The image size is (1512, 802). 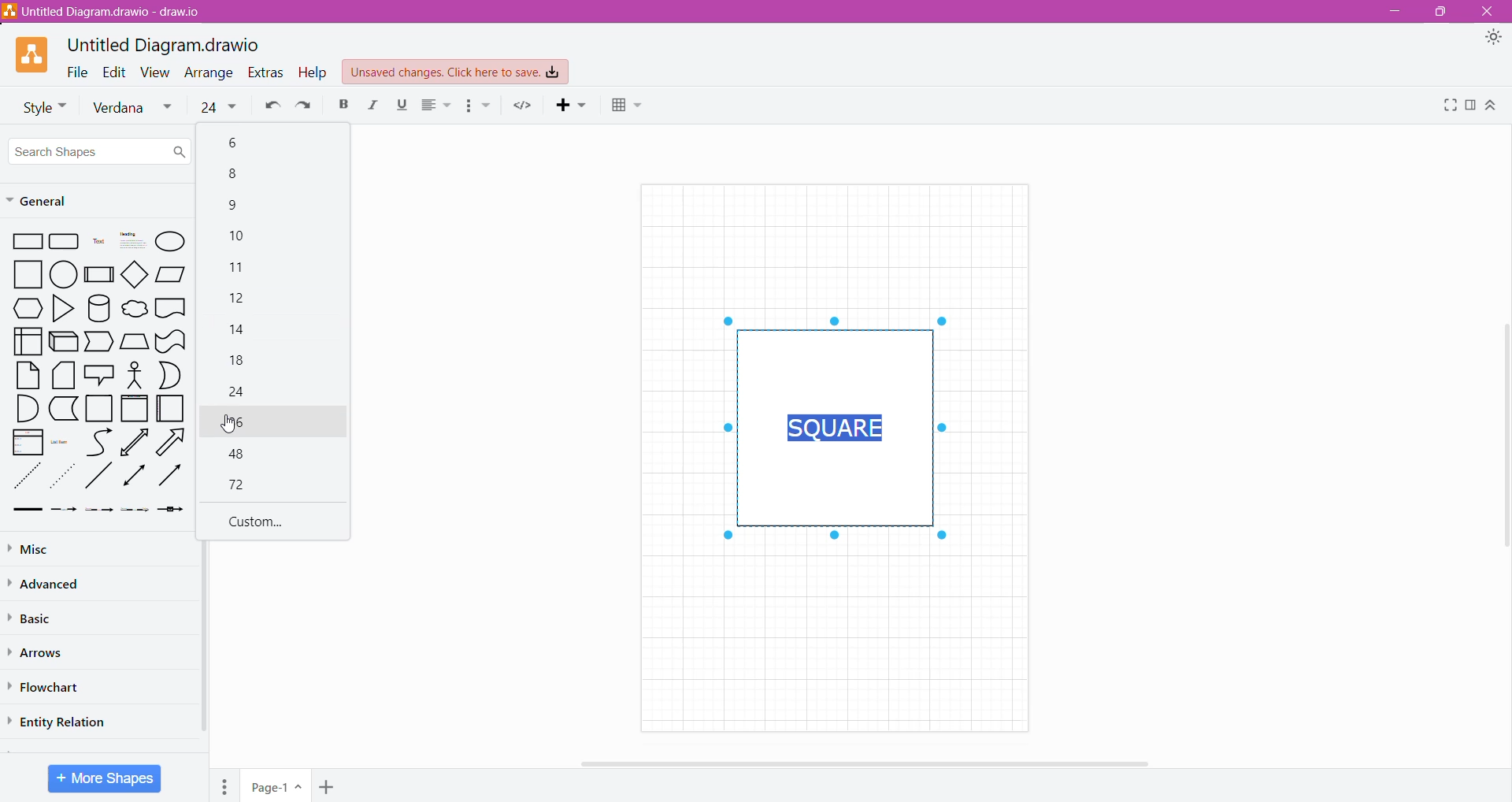 I want to click on Text, so click(x=98, y=243).